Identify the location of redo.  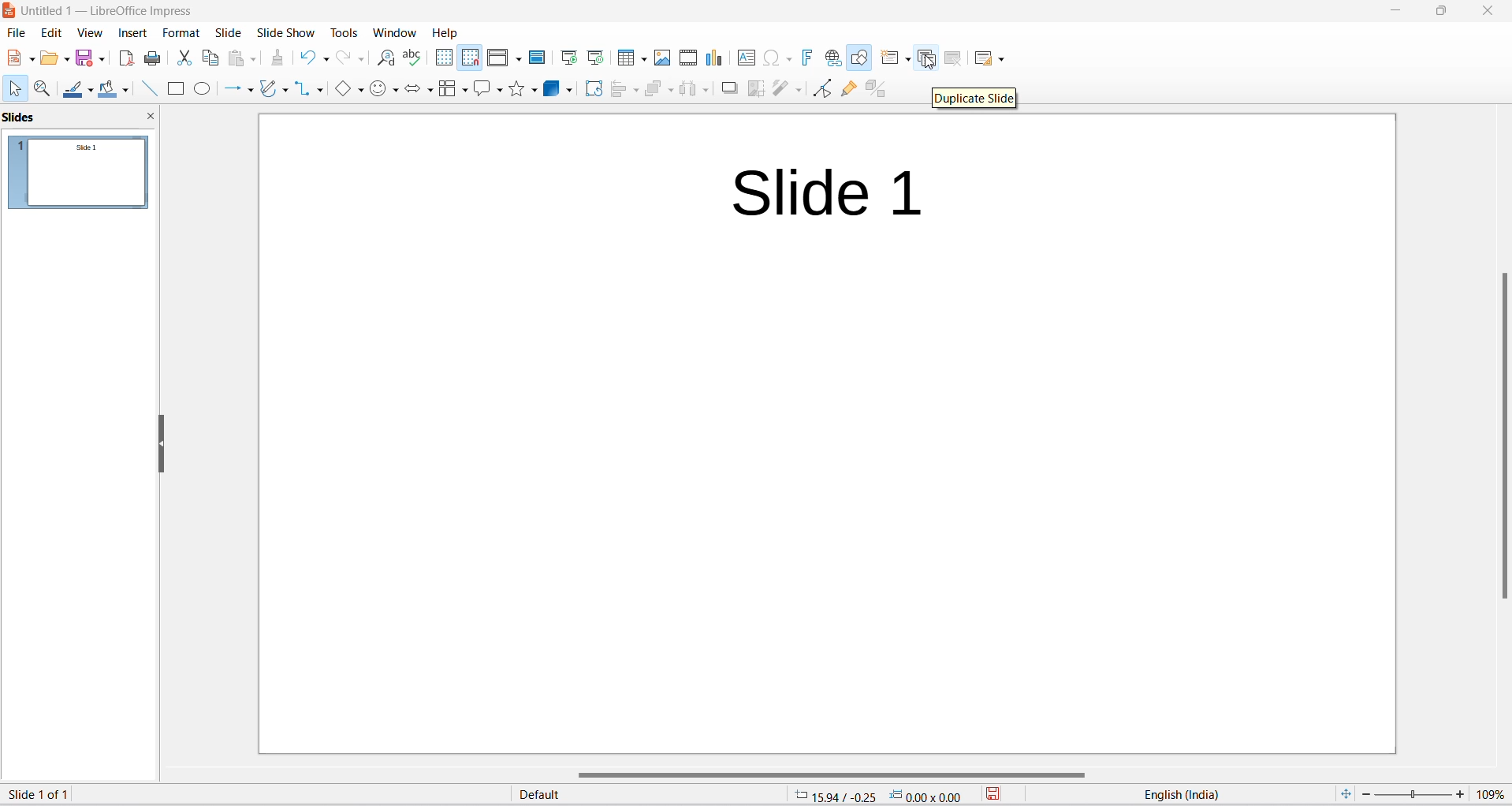
(350, 59).